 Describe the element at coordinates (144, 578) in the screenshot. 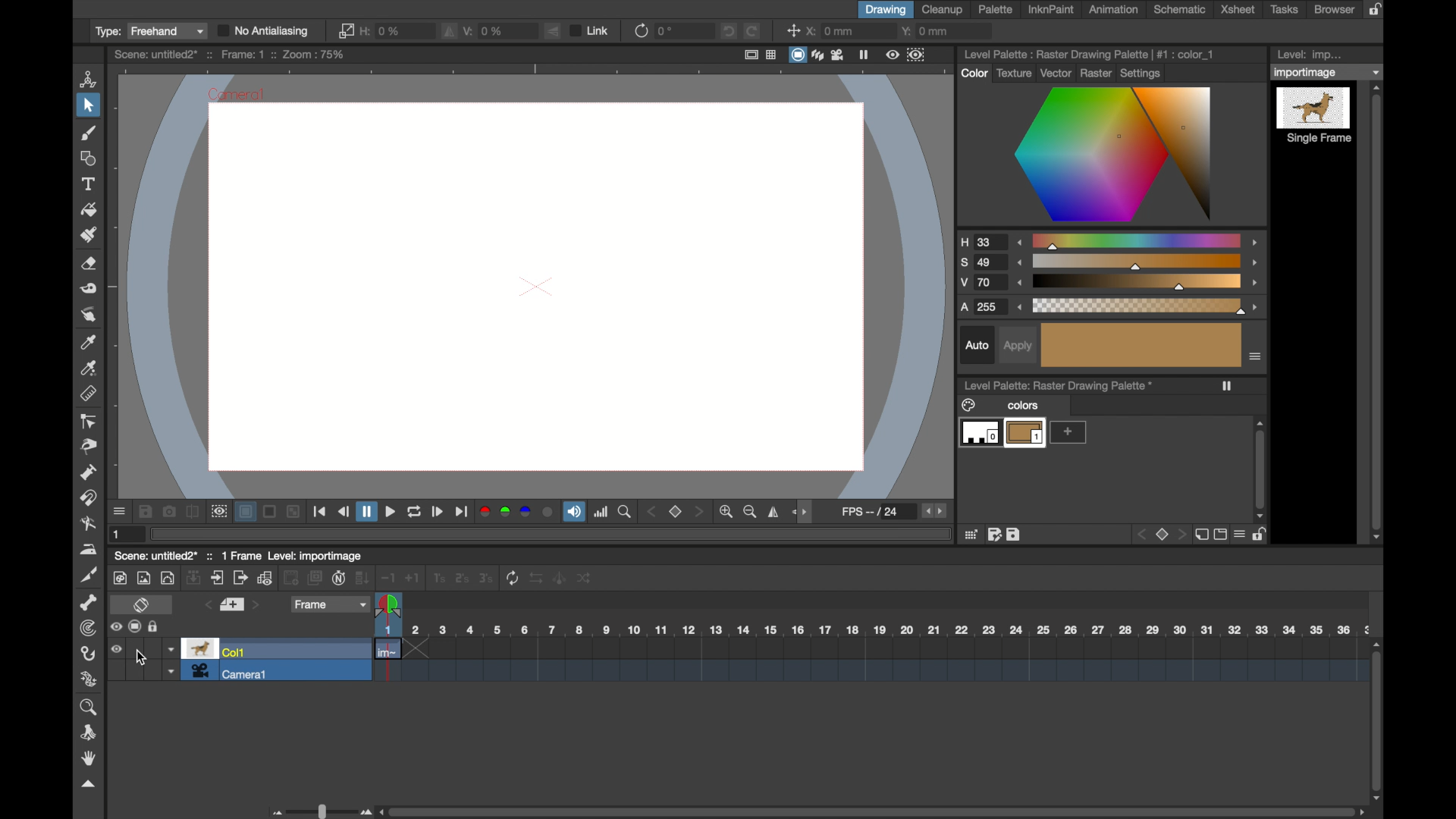

I see `image` at that location.